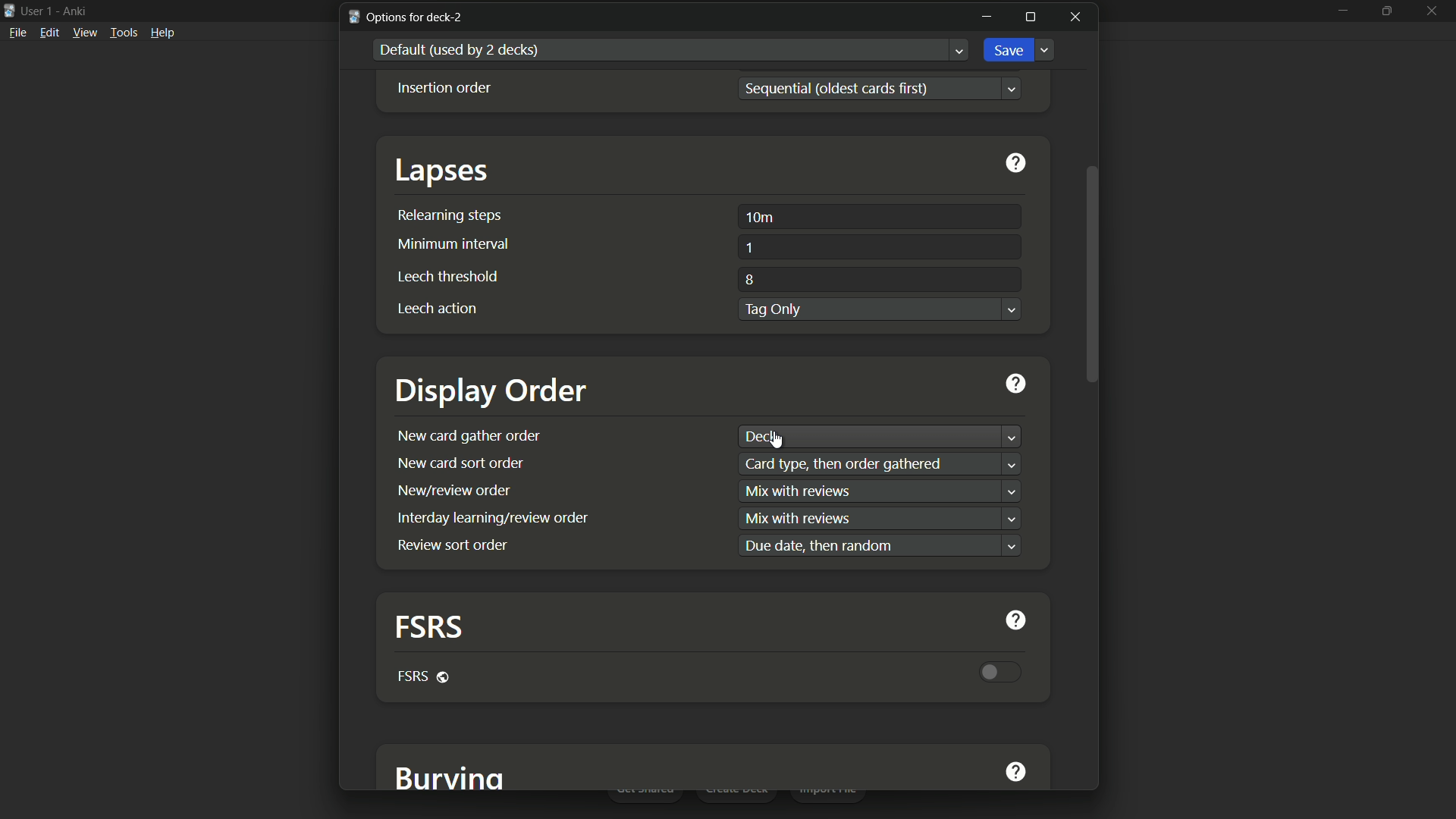  Describe the element at coordinates (748, 278) in the screenshot. I see `8` at that location.